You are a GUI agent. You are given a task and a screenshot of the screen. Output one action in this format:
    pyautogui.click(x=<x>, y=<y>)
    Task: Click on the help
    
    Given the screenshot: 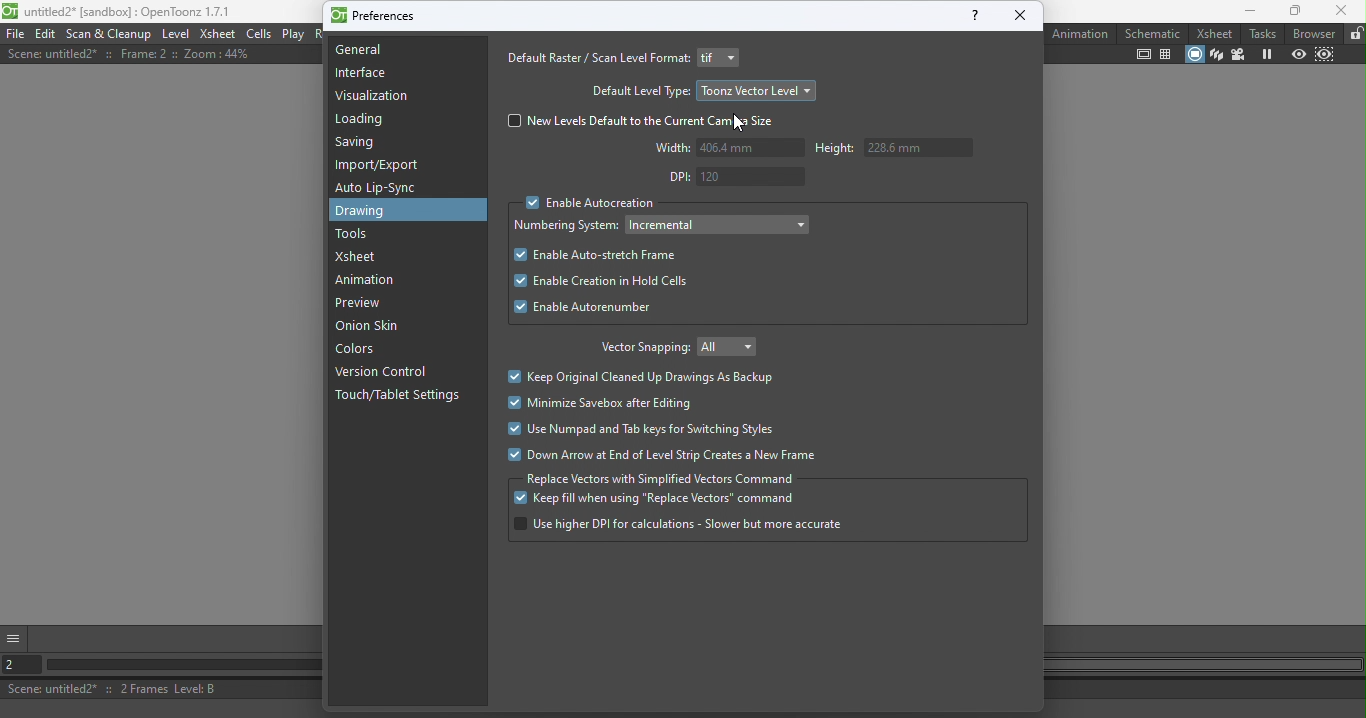 What is the action you would take?
    pyautogui.click(x=973, y=15)
    